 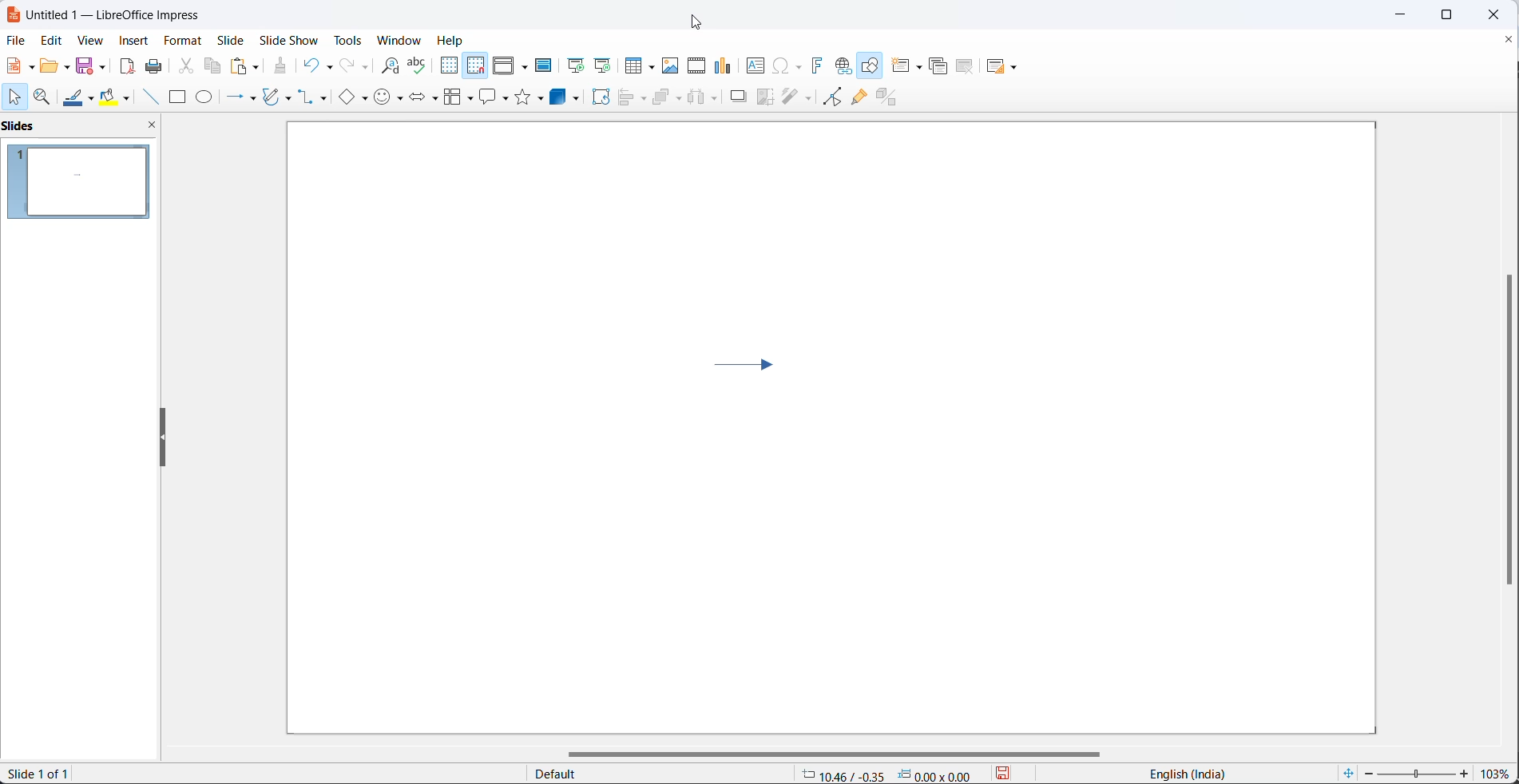 I want to click on toggle end point edit mode, so click(x=828, y=97).